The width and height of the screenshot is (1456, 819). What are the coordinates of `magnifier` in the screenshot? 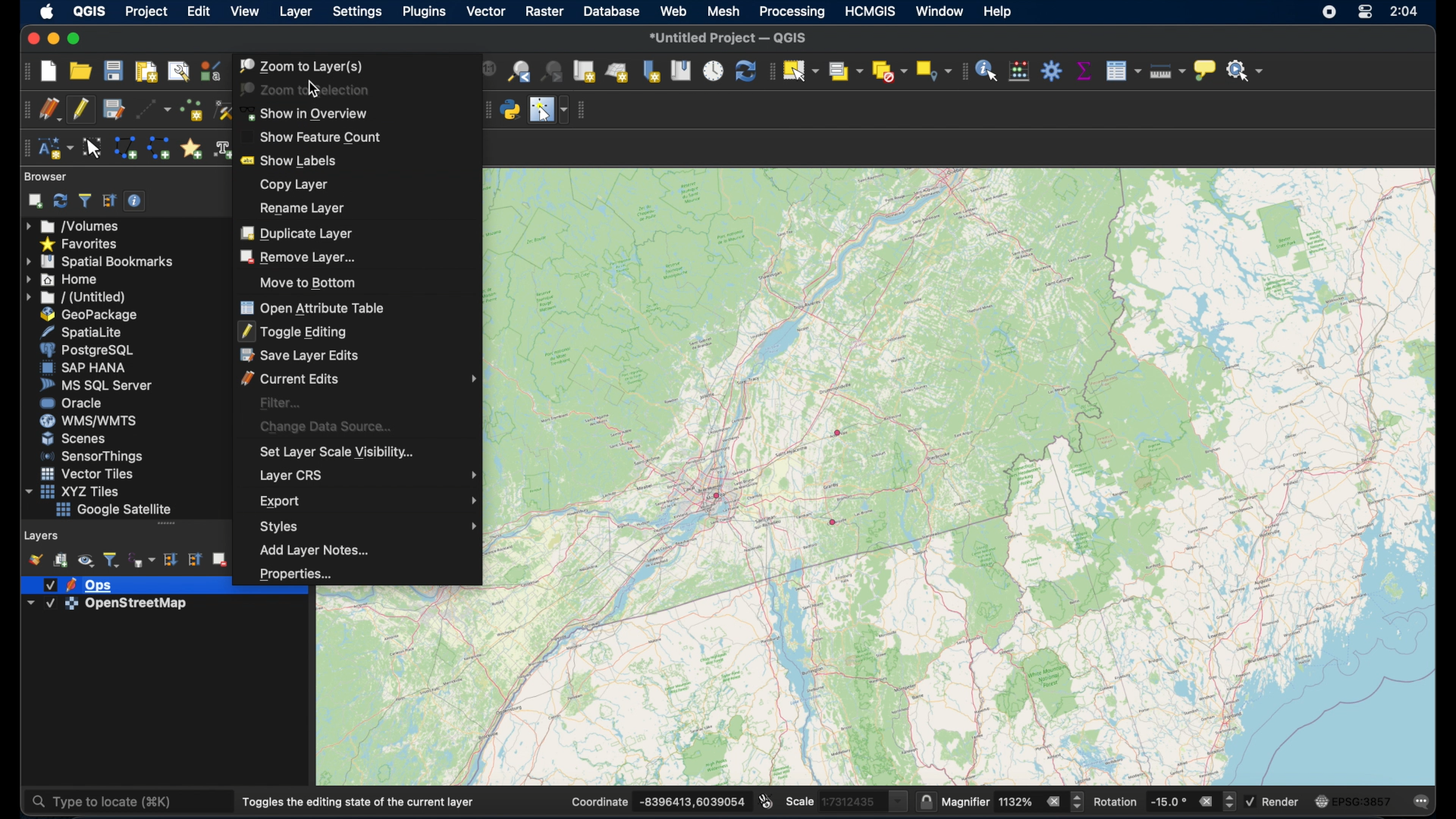 It's located at (1012, 800).